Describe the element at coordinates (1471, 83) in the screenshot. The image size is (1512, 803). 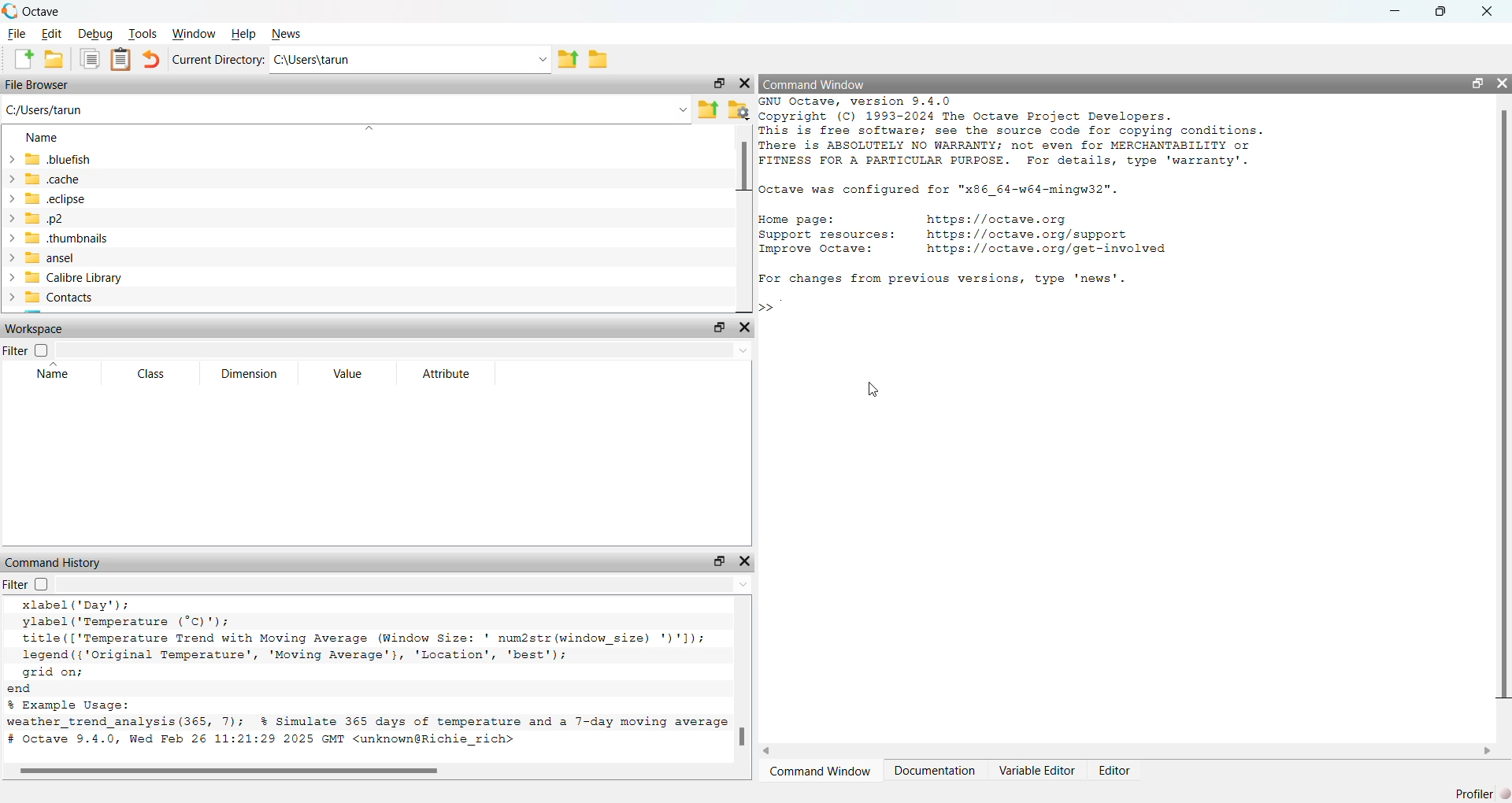
I see `maximise` at that location.